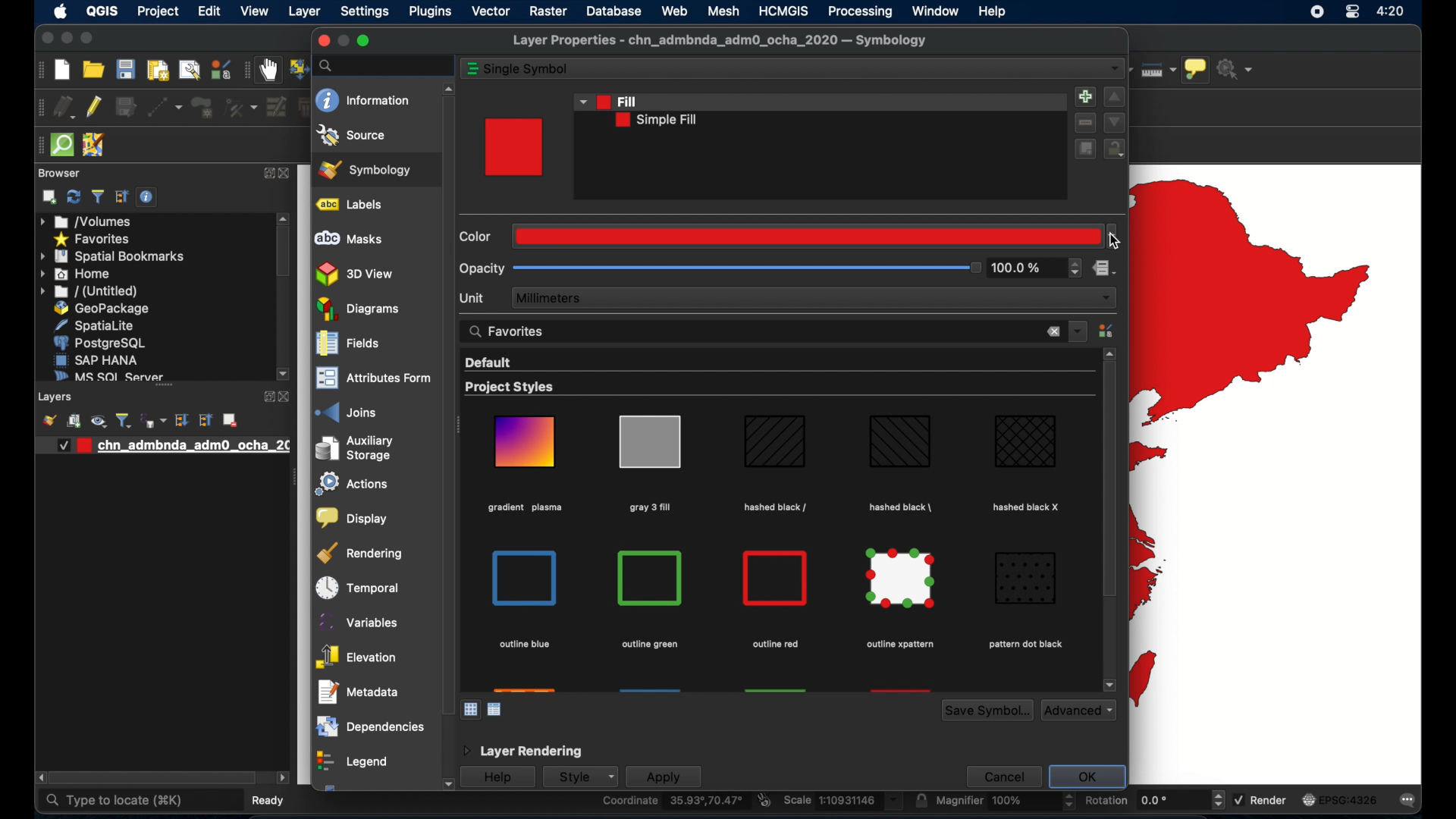  Describe the element at coordinates (230, 420) in the screenshot. I see `remove layer/group` at that location.